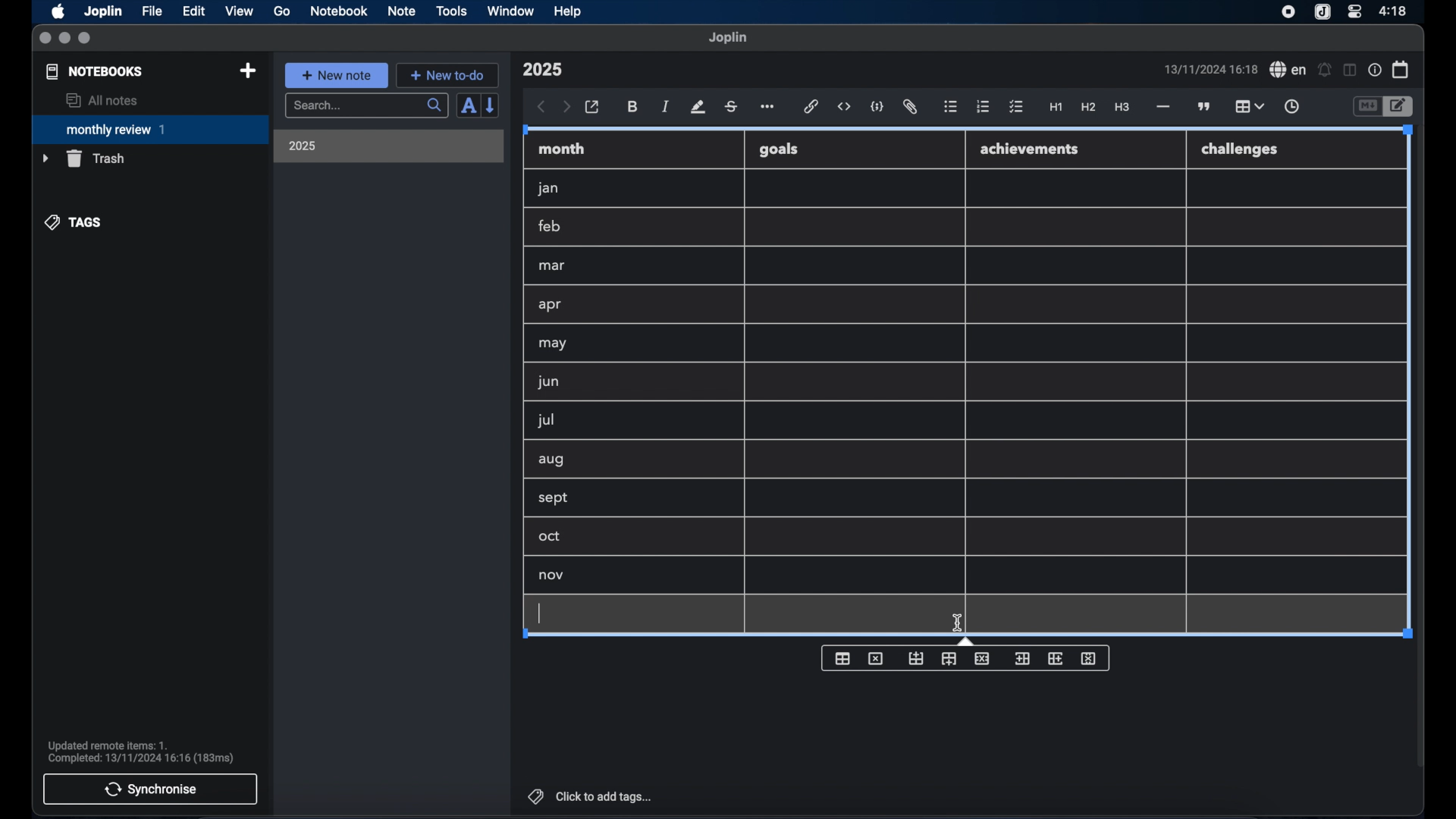  Describe the element at coordinates (141, 752) in the screenshot. I see `sync notification` at that location.